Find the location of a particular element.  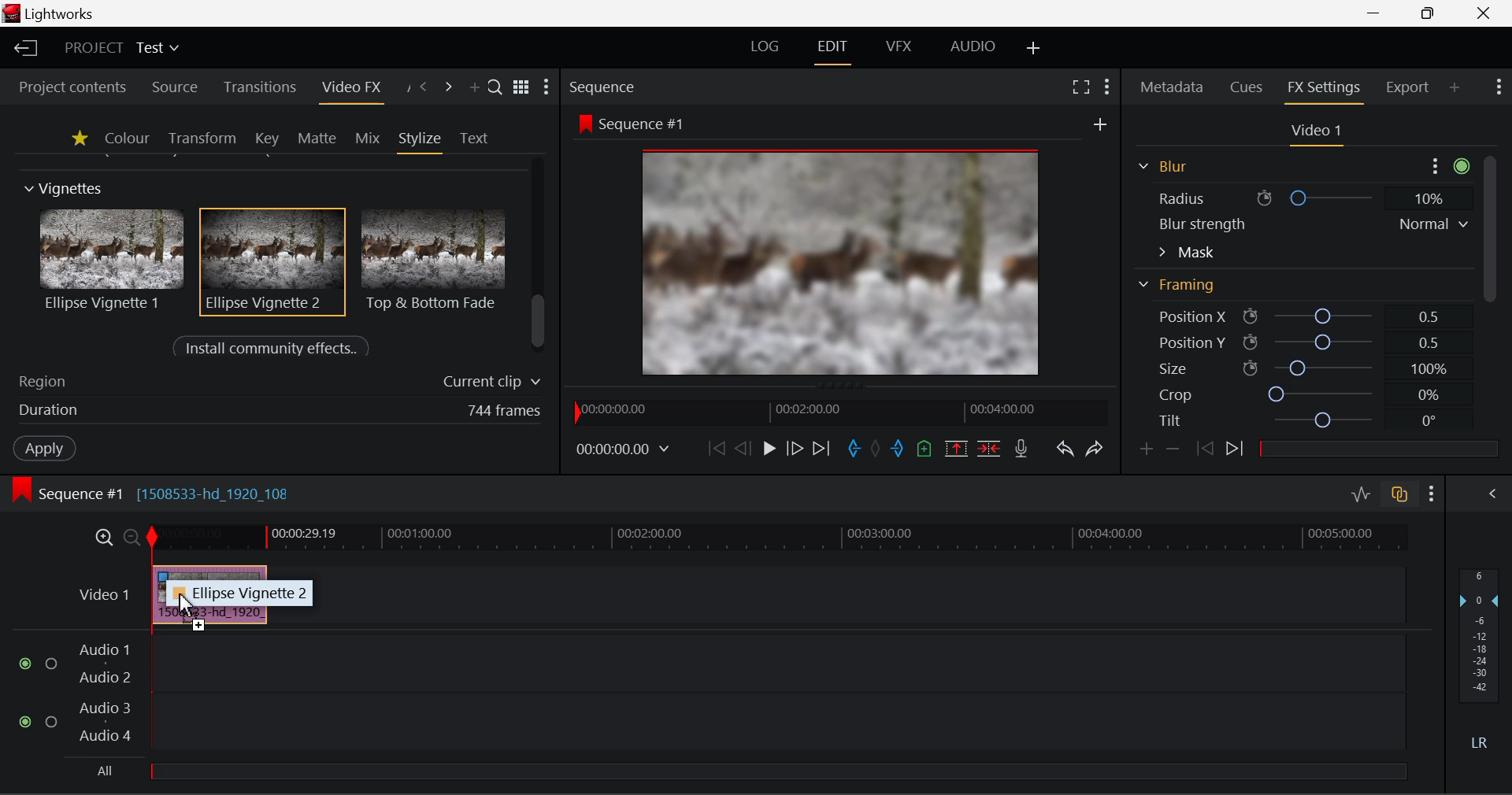

Effect DRAG_TO Cursor Position is located at coordinates (181, 606).